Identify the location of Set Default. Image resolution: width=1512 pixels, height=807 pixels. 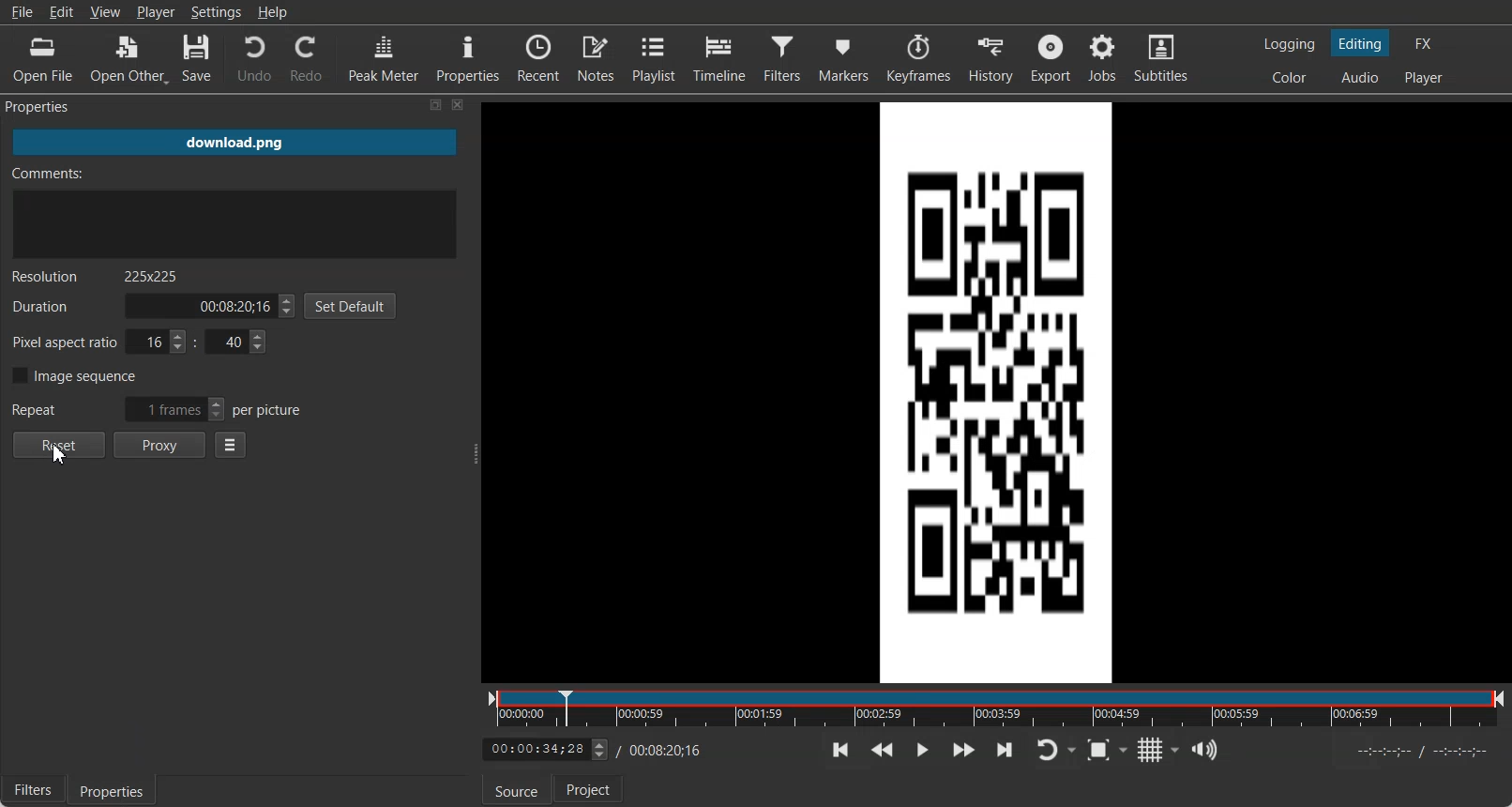
(353, 307).